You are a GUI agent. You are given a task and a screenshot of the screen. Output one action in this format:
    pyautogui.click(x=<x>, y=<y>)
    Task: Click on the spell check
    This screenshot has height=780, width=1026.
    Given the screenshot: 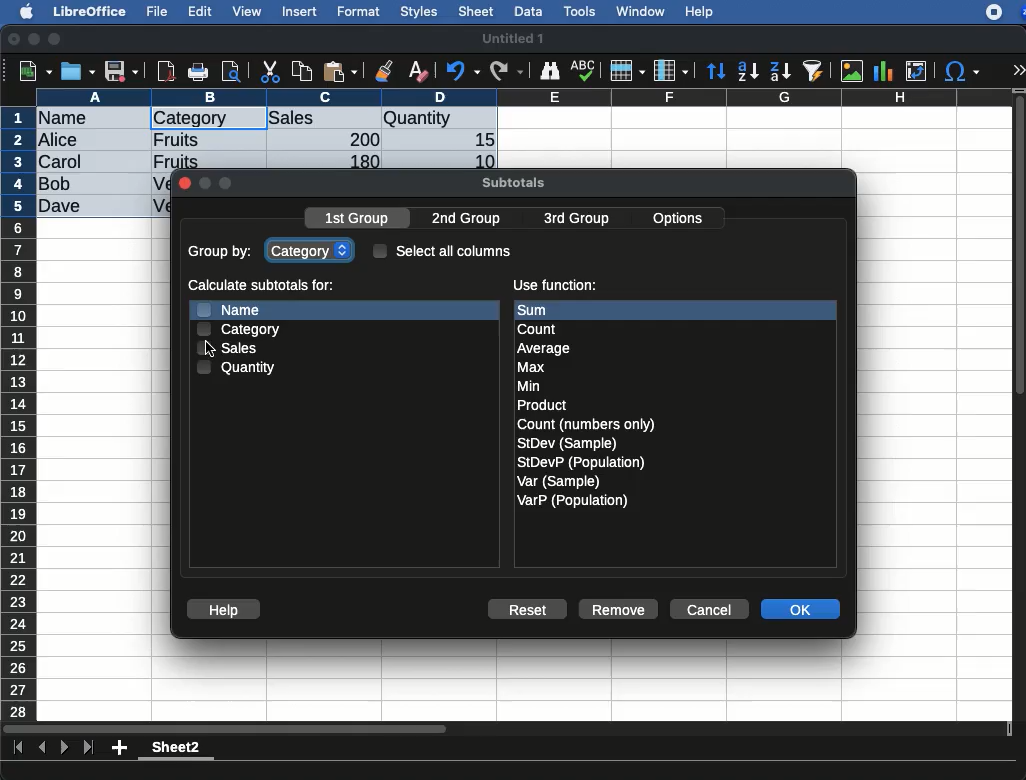 What is the action you would take?
    pyautogui.click(x=586, y=70)
    